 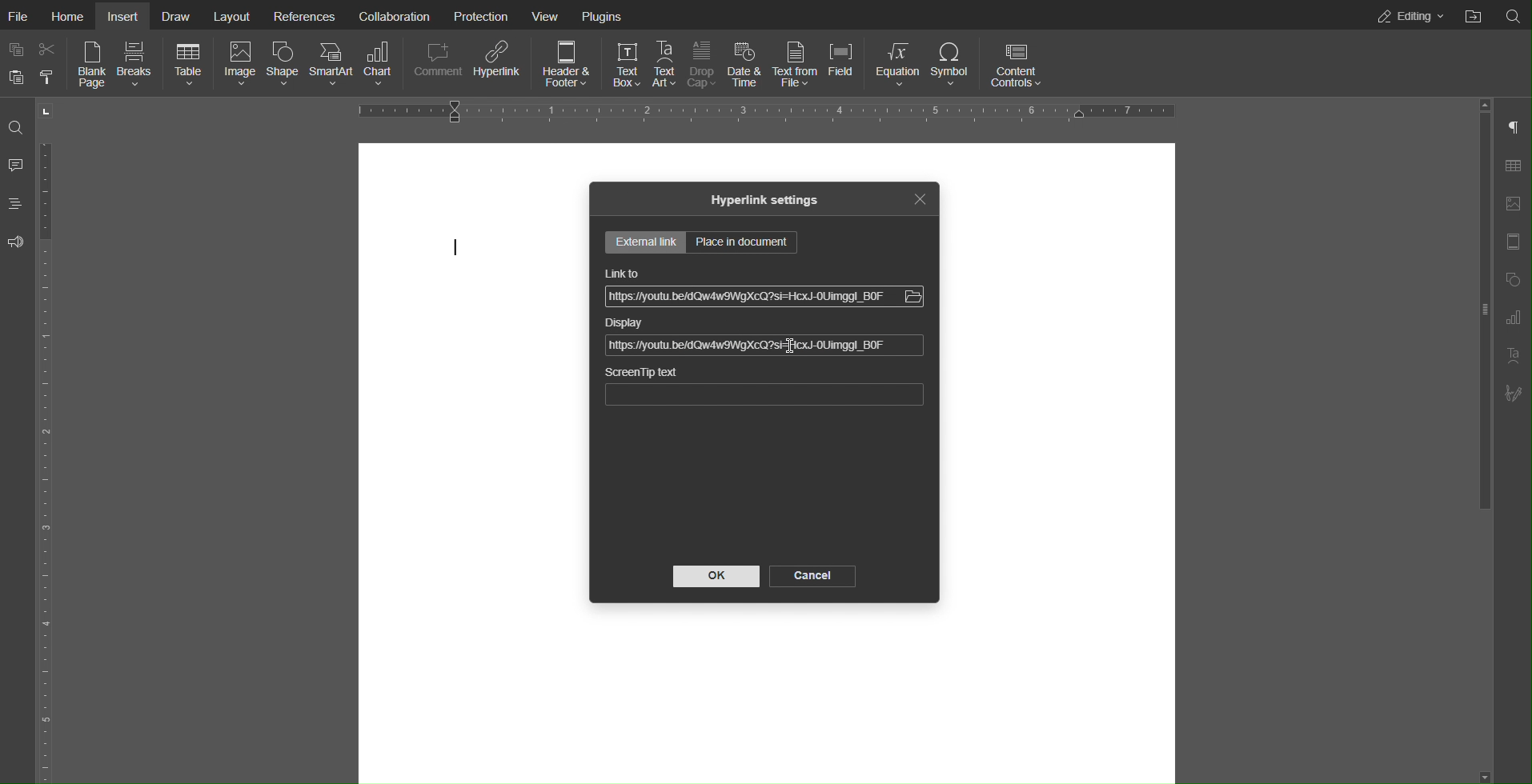 What do you see at coordinates (14, 204) in the screenshot?
I see `Headings` at bounding box center [14, 204].